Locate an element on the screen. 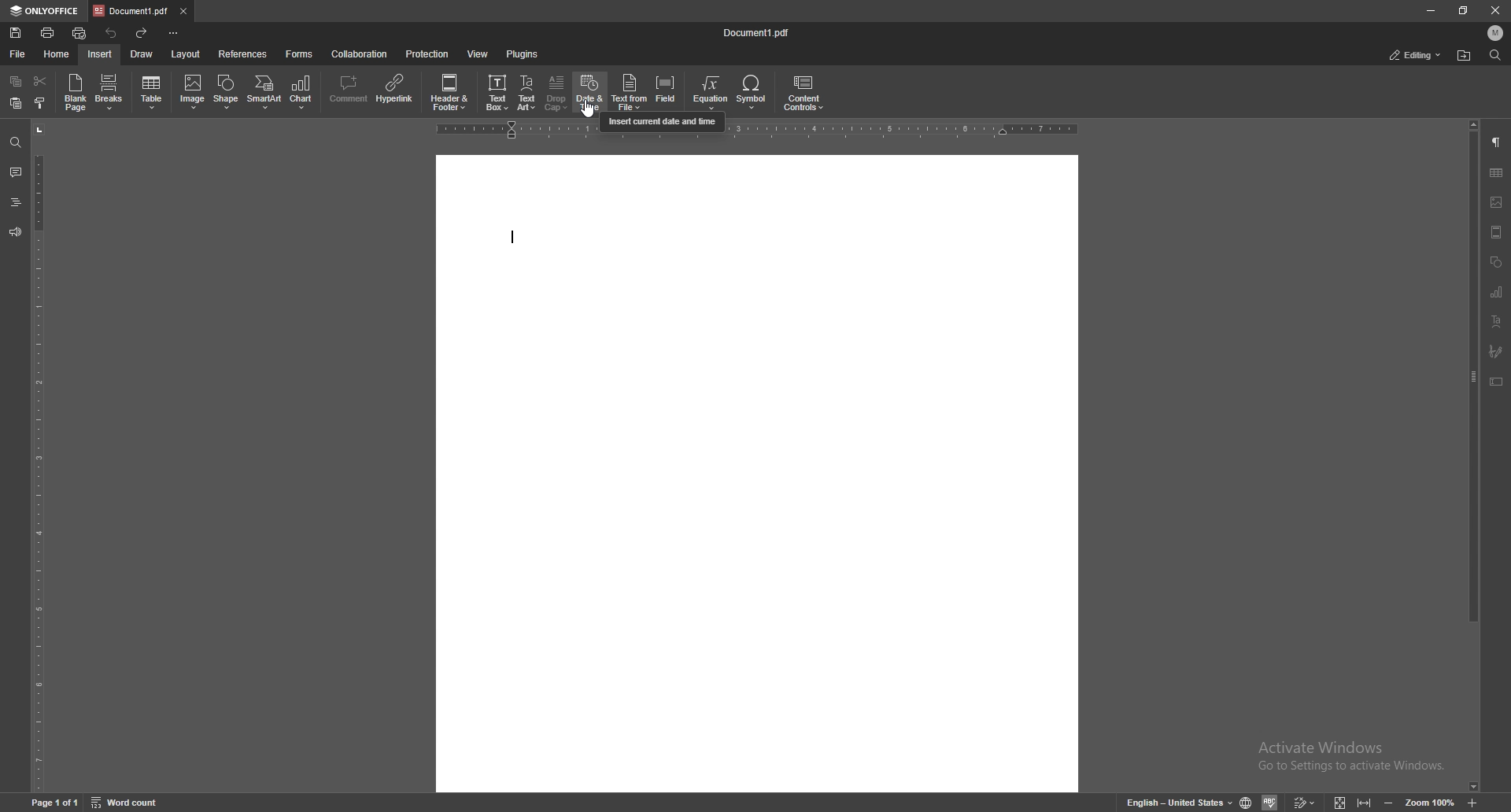  page 1 of 1 is located at coordinates (54, 803).